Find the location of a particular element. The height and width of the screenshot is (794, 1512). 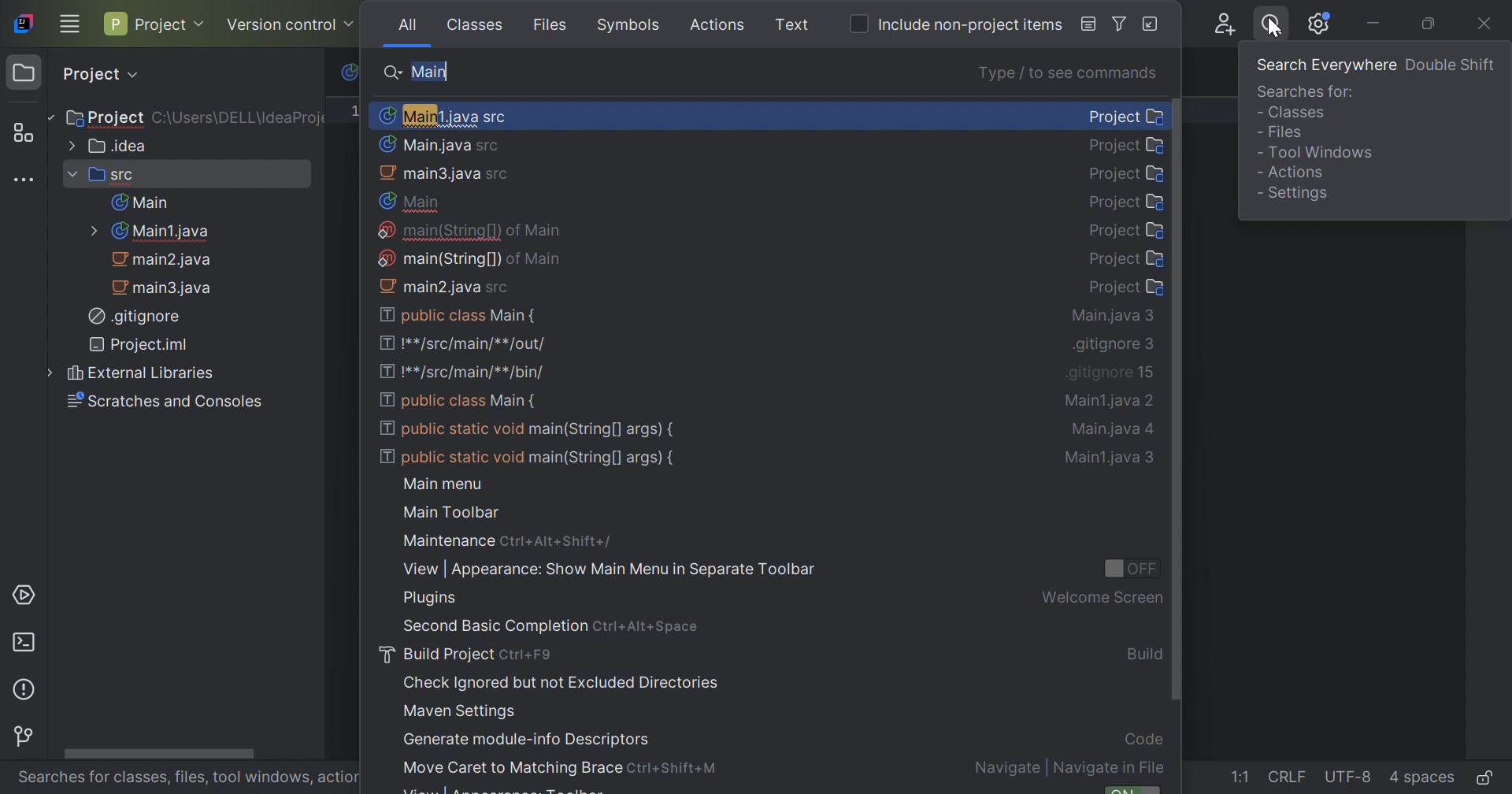

C\:Users\DELL\IdeaProject is located at coordinates (240, 117).